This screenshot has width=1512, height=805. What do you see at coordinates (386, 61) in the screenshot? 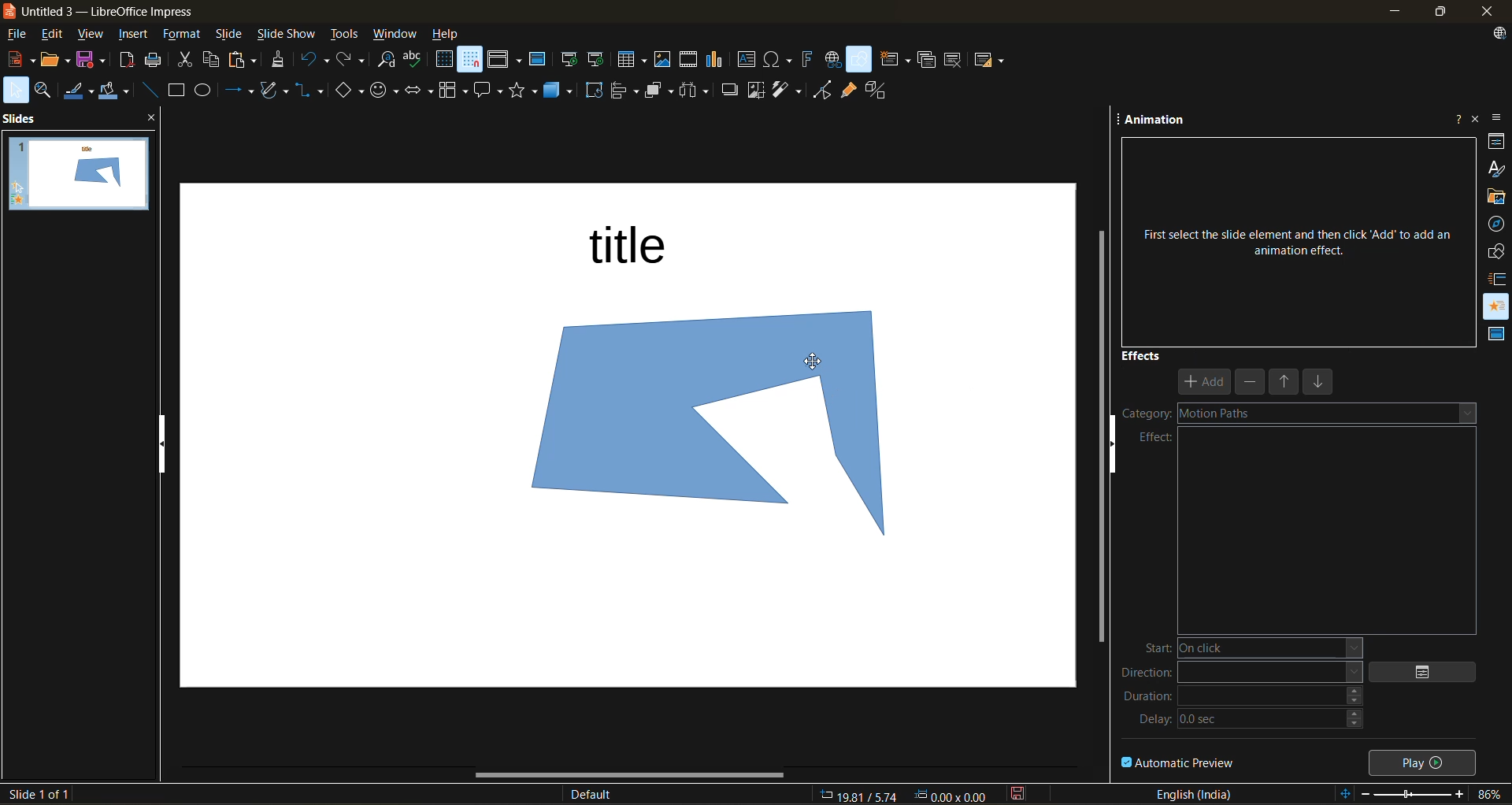
I see `find and replace` at bounding box center [386, 61].